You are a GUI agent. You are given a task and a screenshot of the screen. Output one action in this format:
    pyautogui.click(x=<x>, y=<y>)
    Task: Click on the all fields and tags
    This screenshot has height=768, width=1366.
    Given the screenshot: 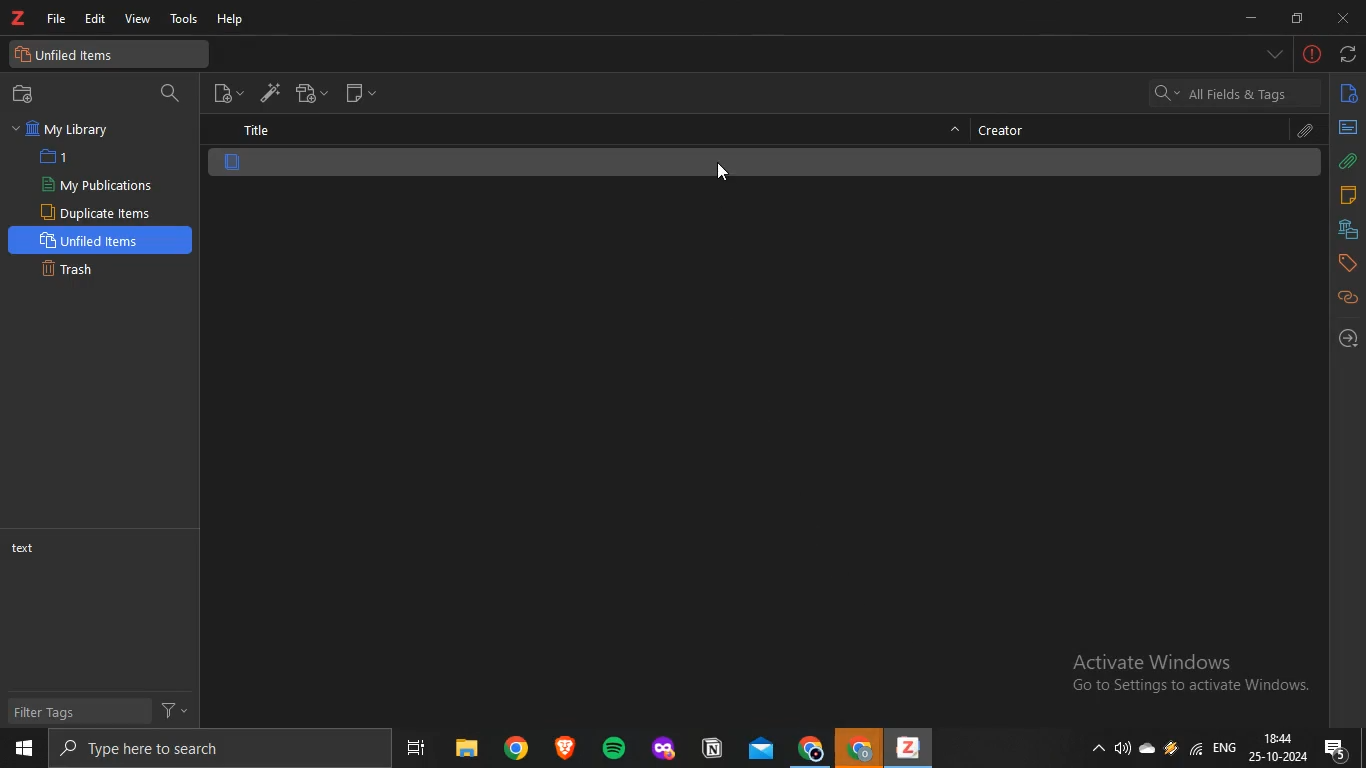 What is the action you would take?
    pyautogui.click(x=1233, y=93)
    